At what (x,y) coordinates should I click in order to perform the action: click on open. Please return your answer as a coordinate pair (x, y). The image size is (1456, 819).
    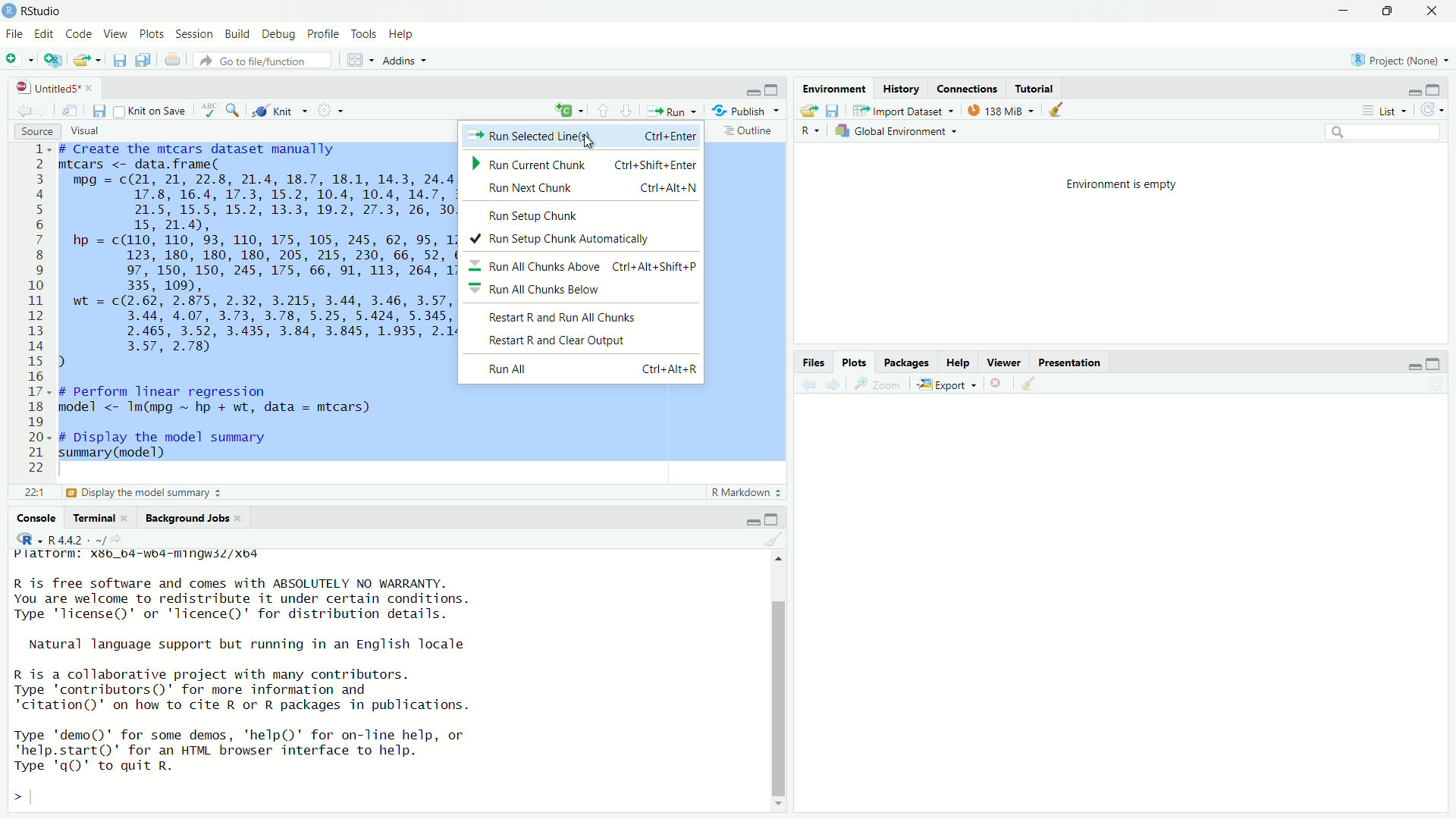
    Looking at the image, I should click on (808, 111).